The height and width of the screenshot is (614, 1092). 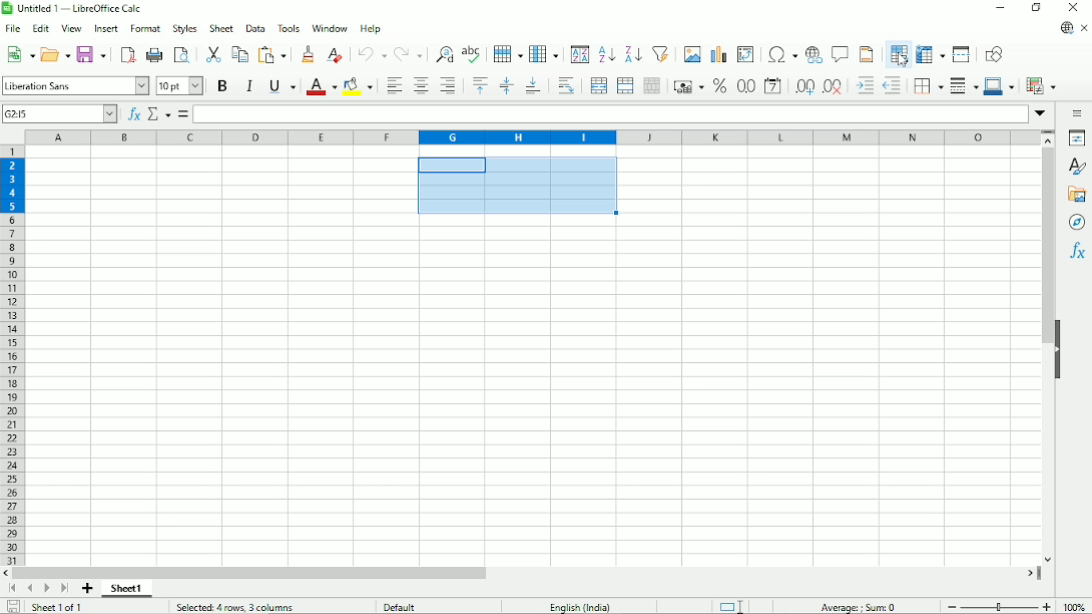 What do you see at coordinates (71, 29) in the screenshot?
I see `View` at bounding box center [71, 29].